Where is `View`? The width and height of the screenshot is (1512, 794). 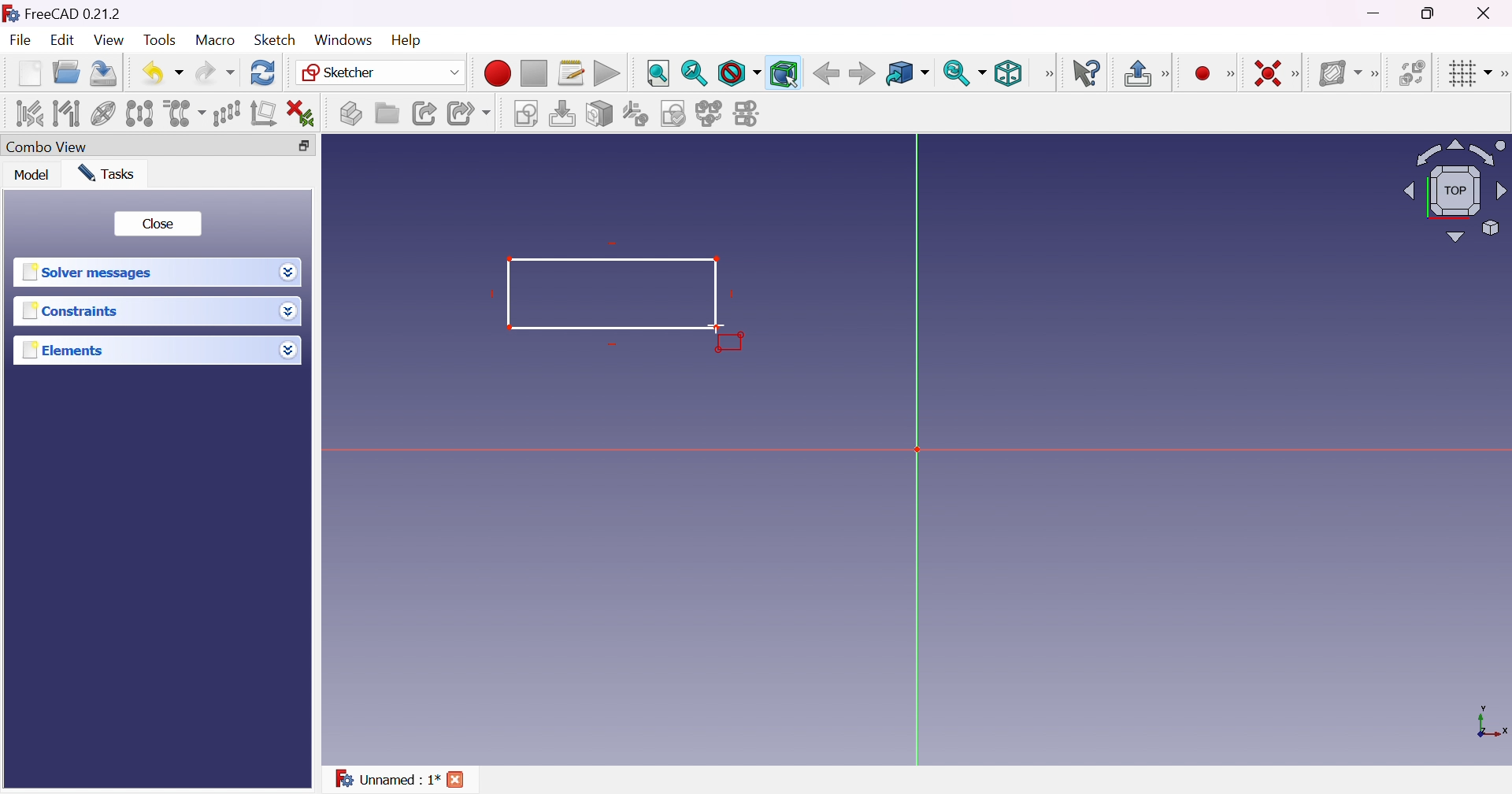
View is located at coordinates (109, 39).